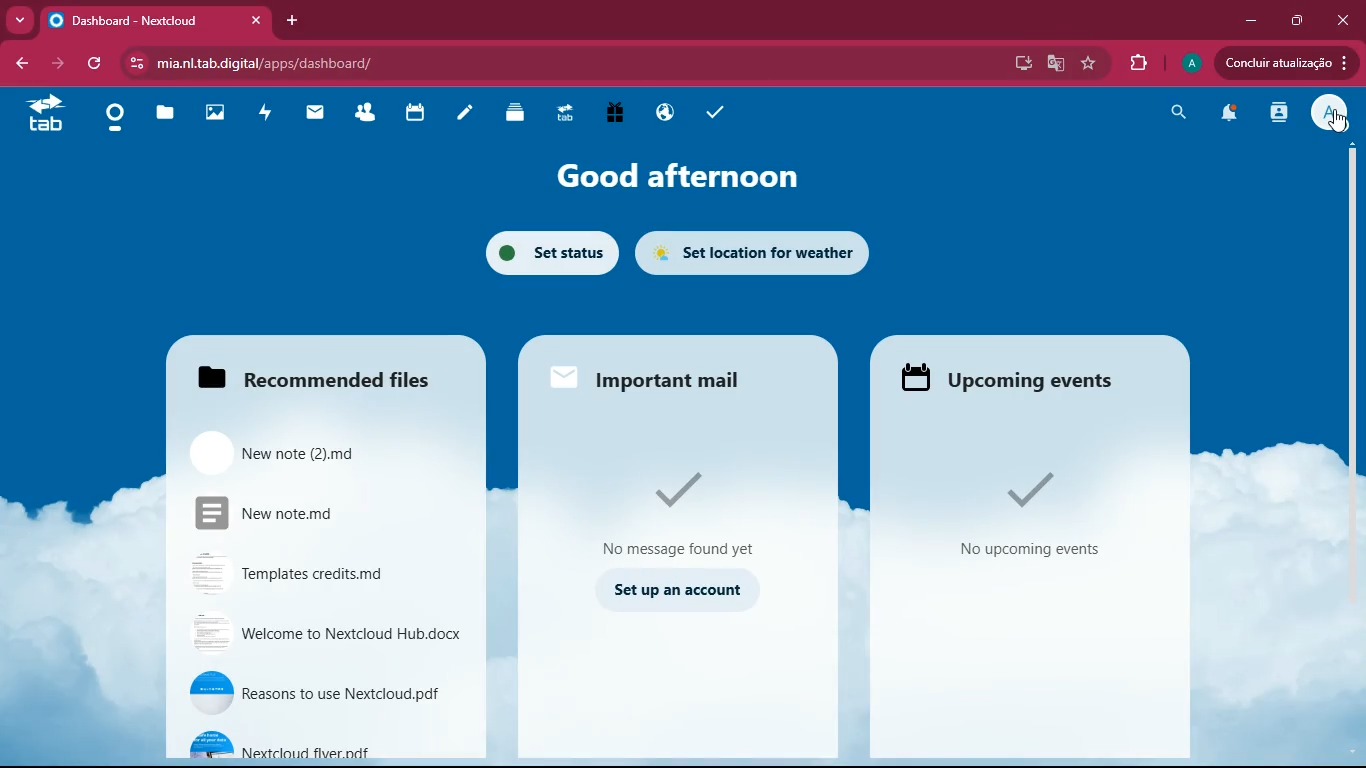  Describe the element at coordinates (96, 66) in the screenshot. I see `refresh` at that location.